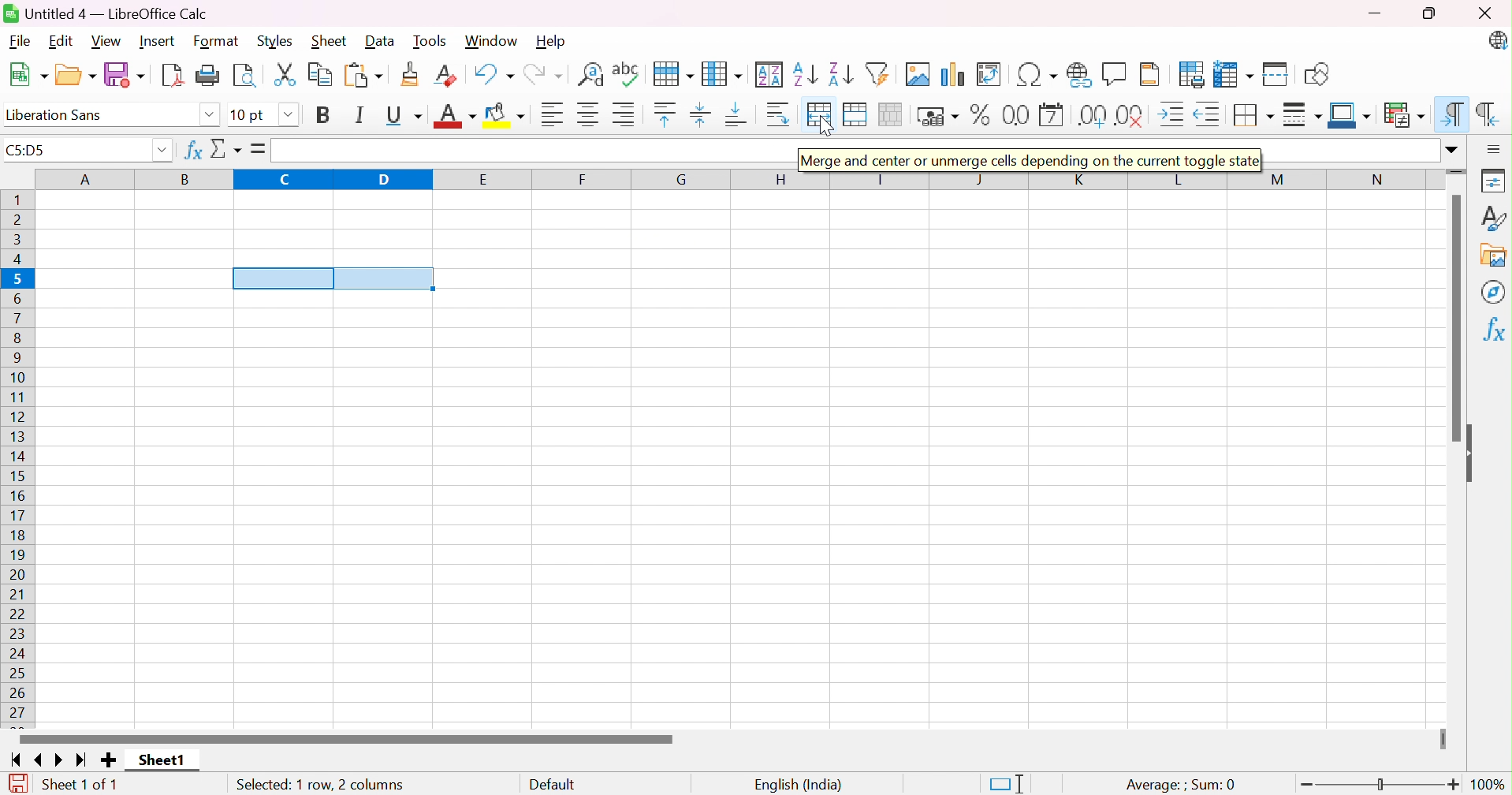 The image size is (1512, 795). What do you see at coordinates (1303, 115) in the screenshot?
I see `Border Style` at bounding box center [1303, 115].